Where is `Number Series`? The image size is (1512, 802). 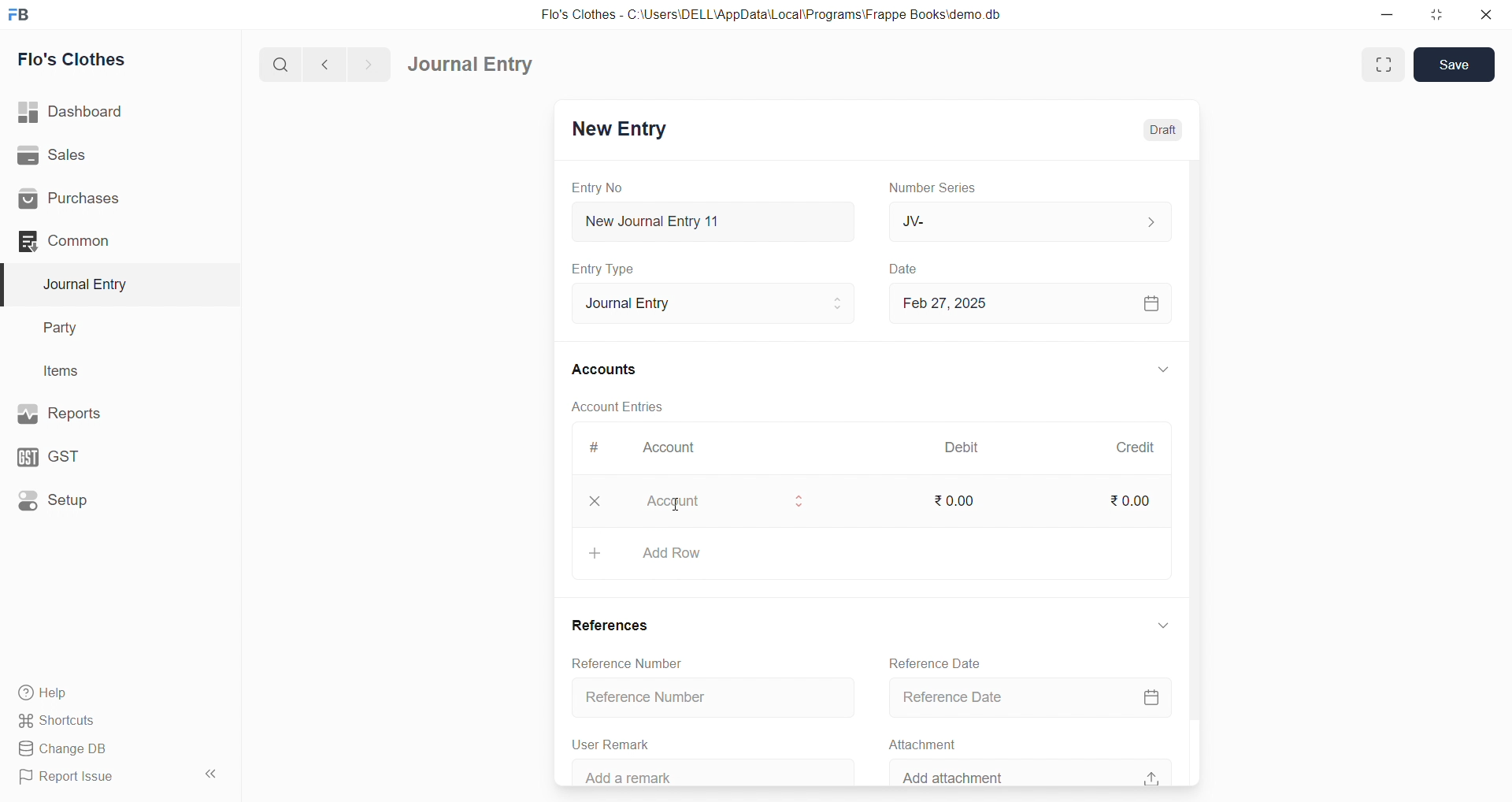 Number Series is located at coordinates (939, 188).